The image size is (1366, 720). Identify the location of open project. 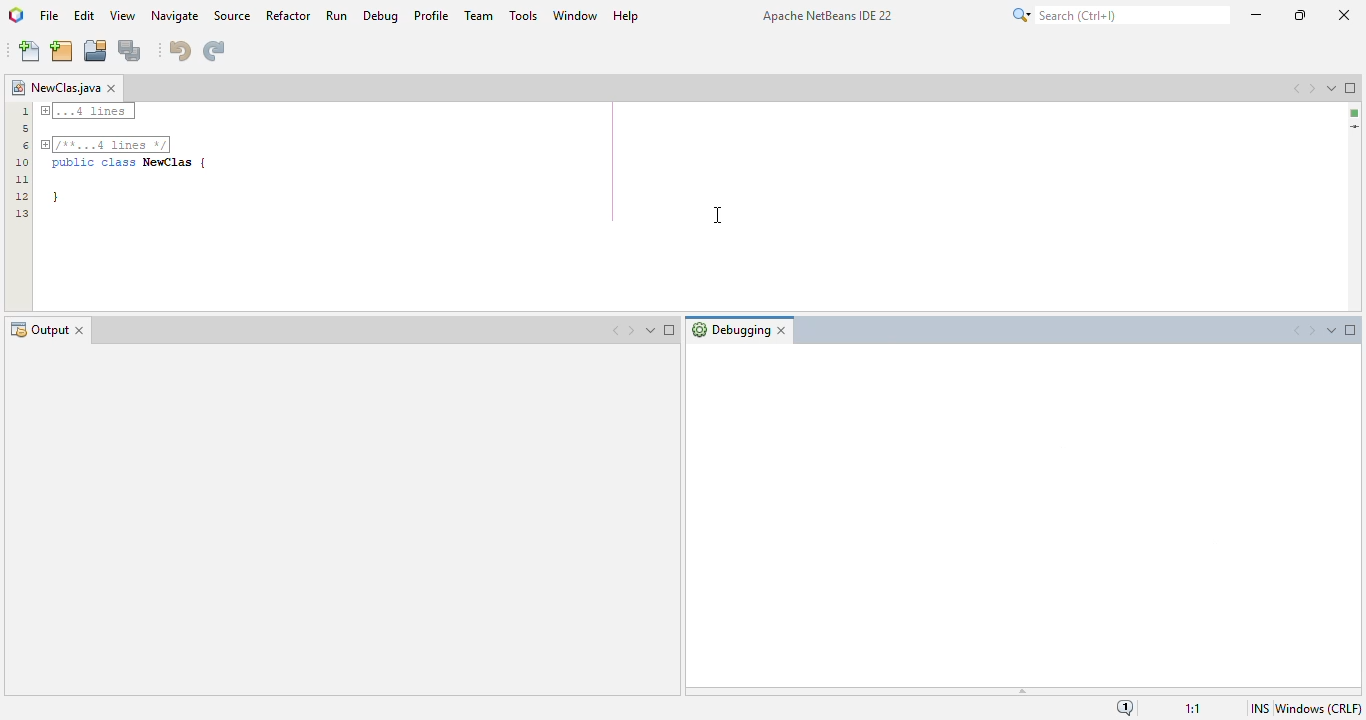
(96, 52).